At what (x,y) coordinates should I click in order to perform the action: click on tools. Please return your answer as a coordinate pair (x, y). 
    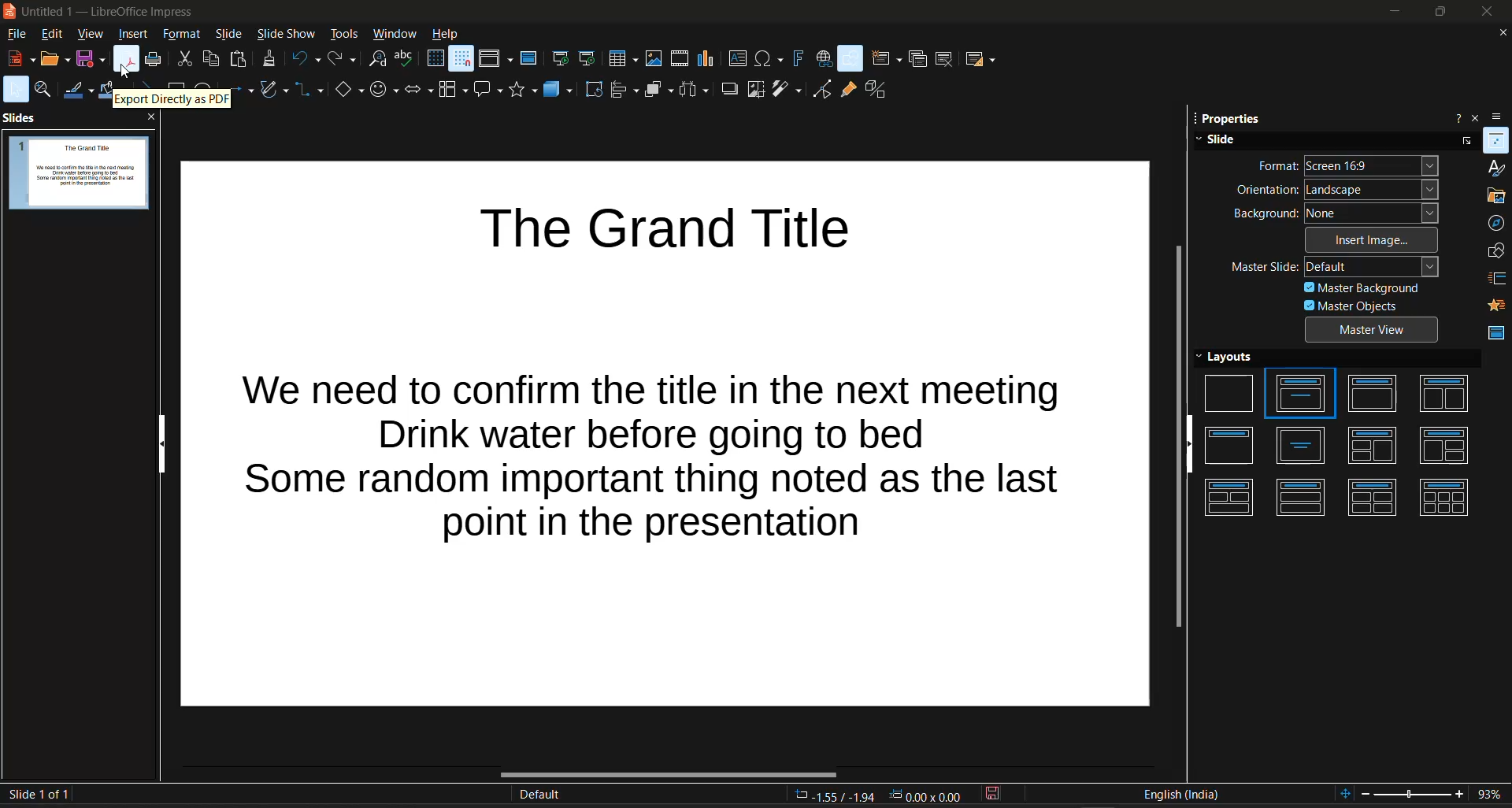
    Looking at the image, I should click on (344, 34).